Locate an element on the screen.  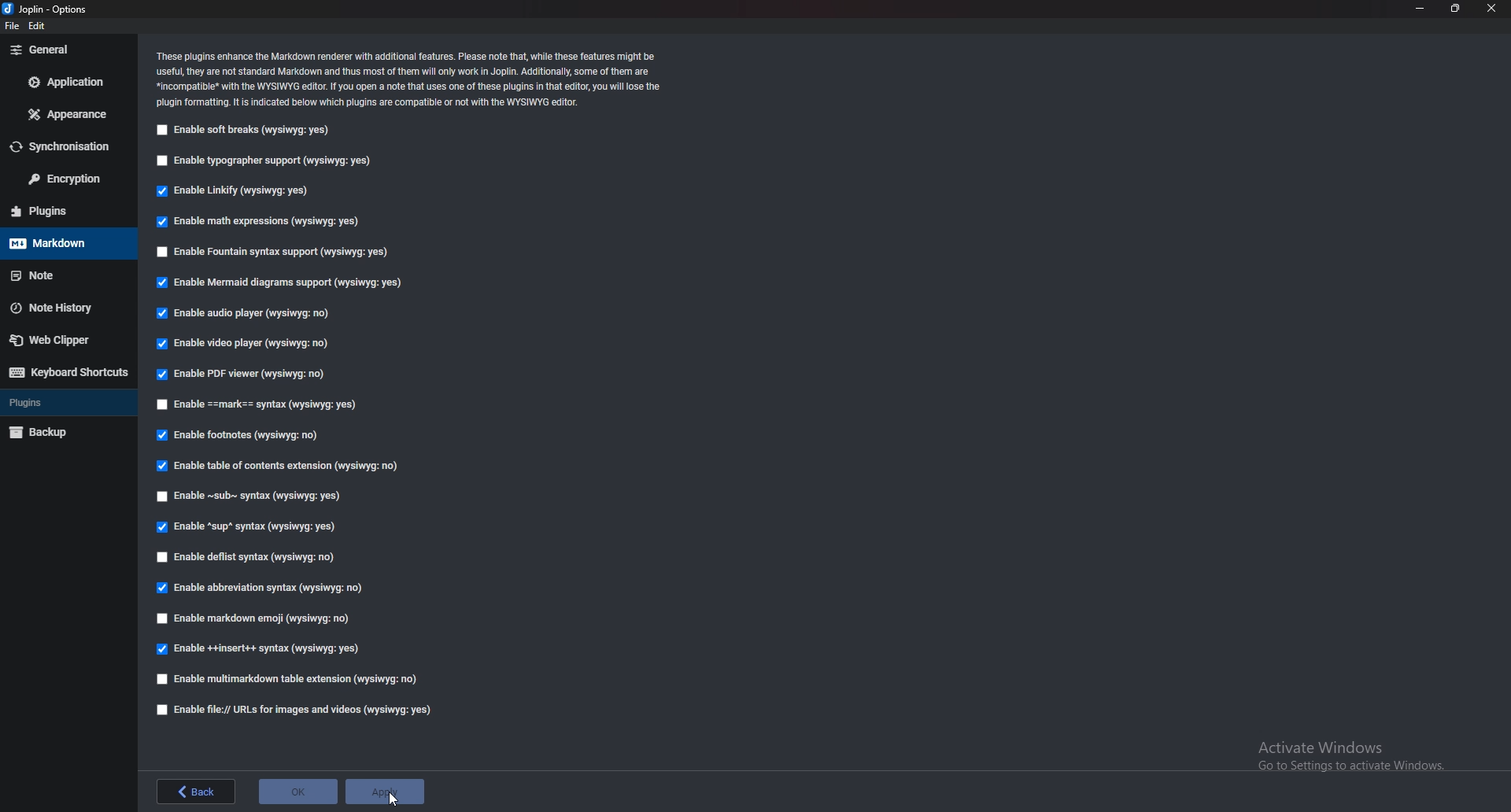
Enable mermaid diagrams support is located at coordinates (278, 282).